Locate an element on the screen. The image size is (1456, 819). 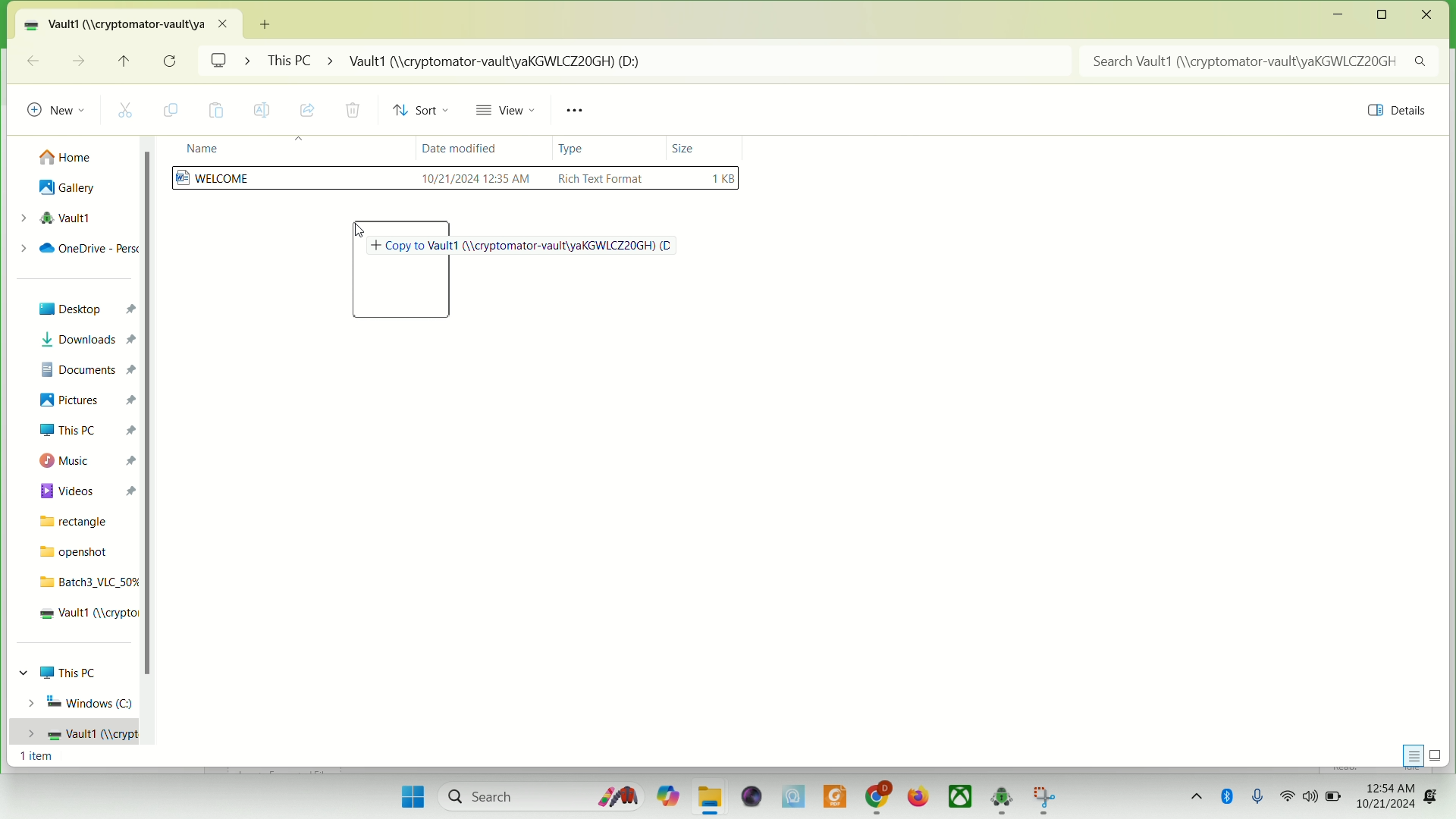
see more is located at coordinates (579, 111).